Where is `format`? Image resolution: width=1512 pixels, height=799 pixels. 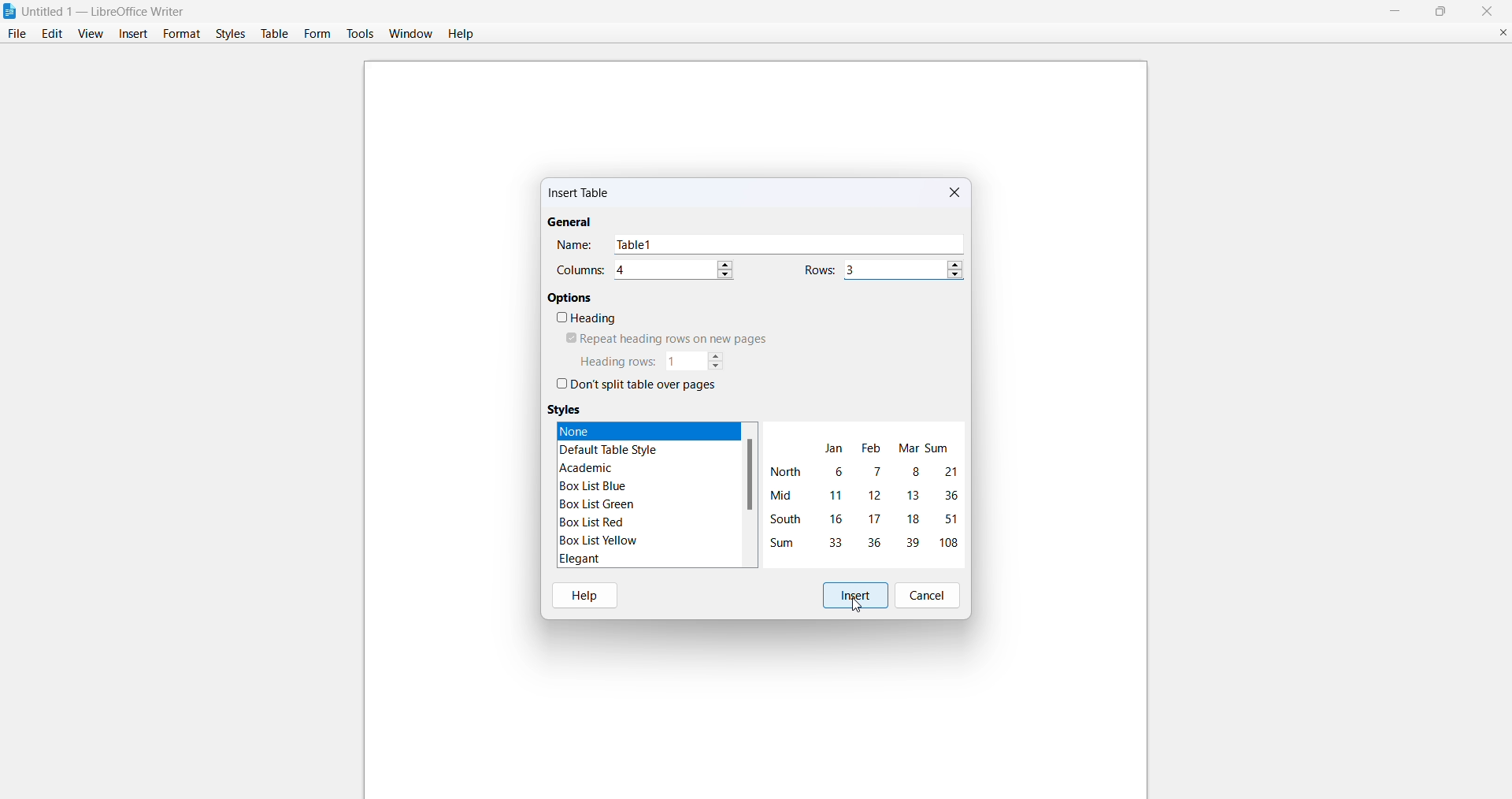
format is located at coordinates (179, 32).